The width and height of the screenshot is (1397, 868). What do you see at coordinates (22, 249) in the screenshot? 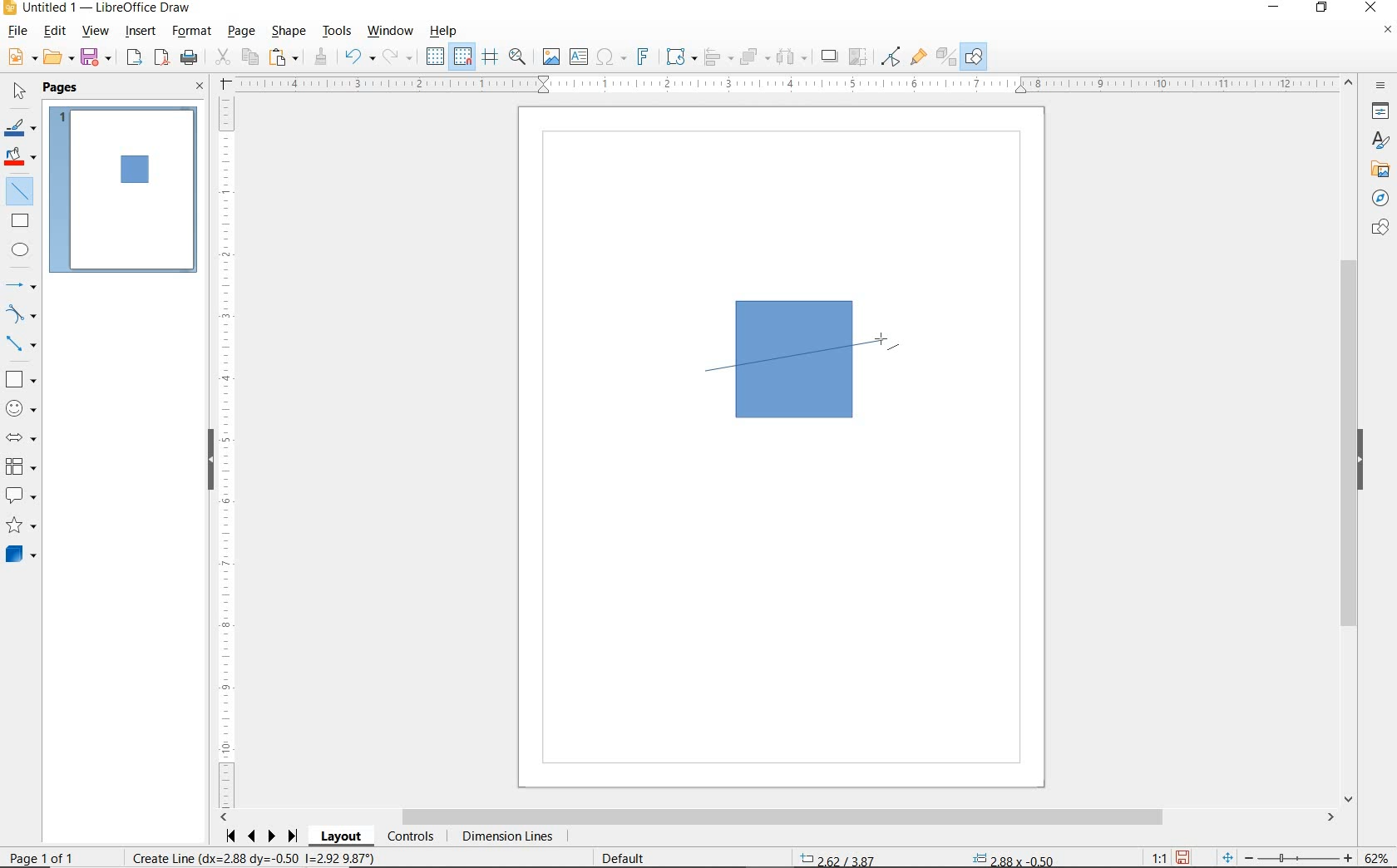
I see `ELLIPSE` at bounding box center [22, 249].